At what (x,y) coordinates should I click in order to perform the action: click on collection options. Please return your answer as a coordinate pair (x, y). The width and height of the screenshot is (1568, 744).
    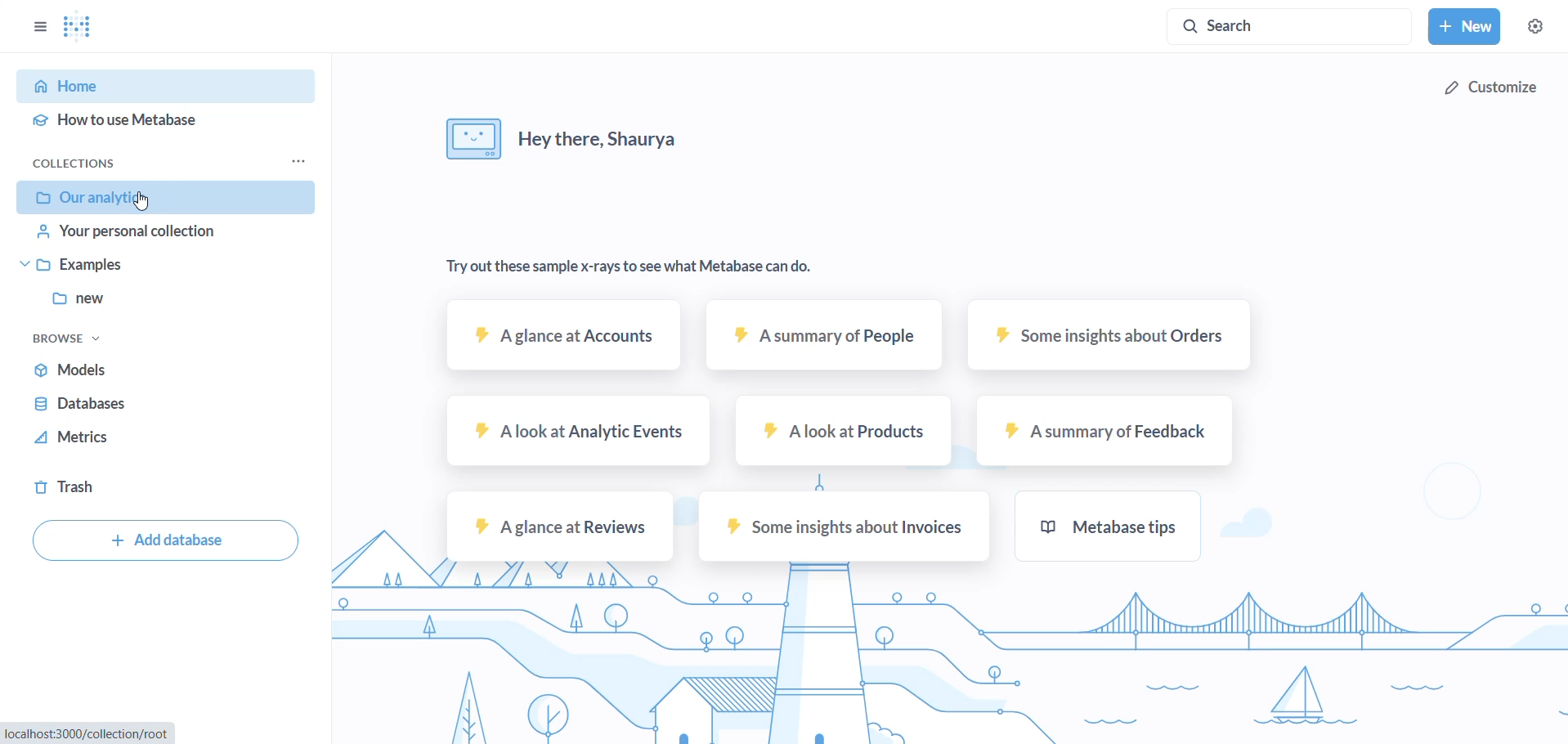
    Looking at the image, I should click on (309, 163).